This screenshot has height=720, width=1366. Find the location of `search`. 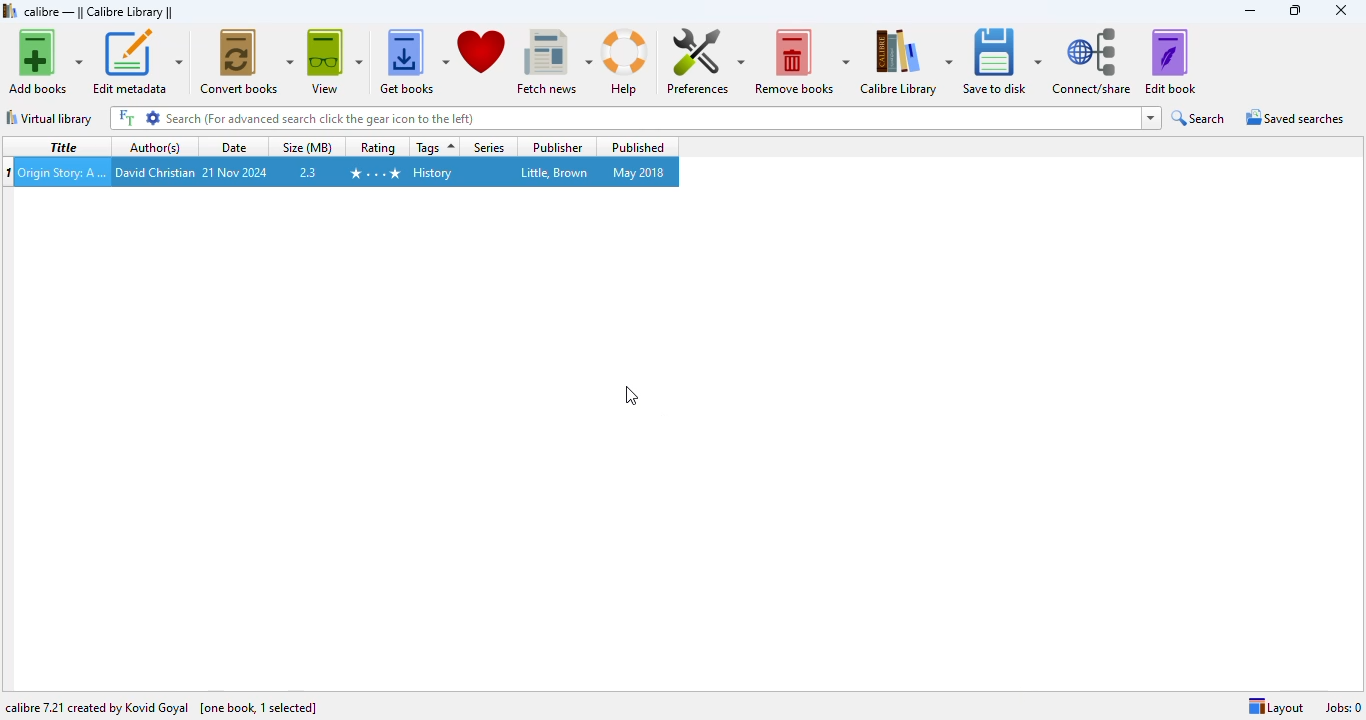

search is located at coordinates (623, 118).